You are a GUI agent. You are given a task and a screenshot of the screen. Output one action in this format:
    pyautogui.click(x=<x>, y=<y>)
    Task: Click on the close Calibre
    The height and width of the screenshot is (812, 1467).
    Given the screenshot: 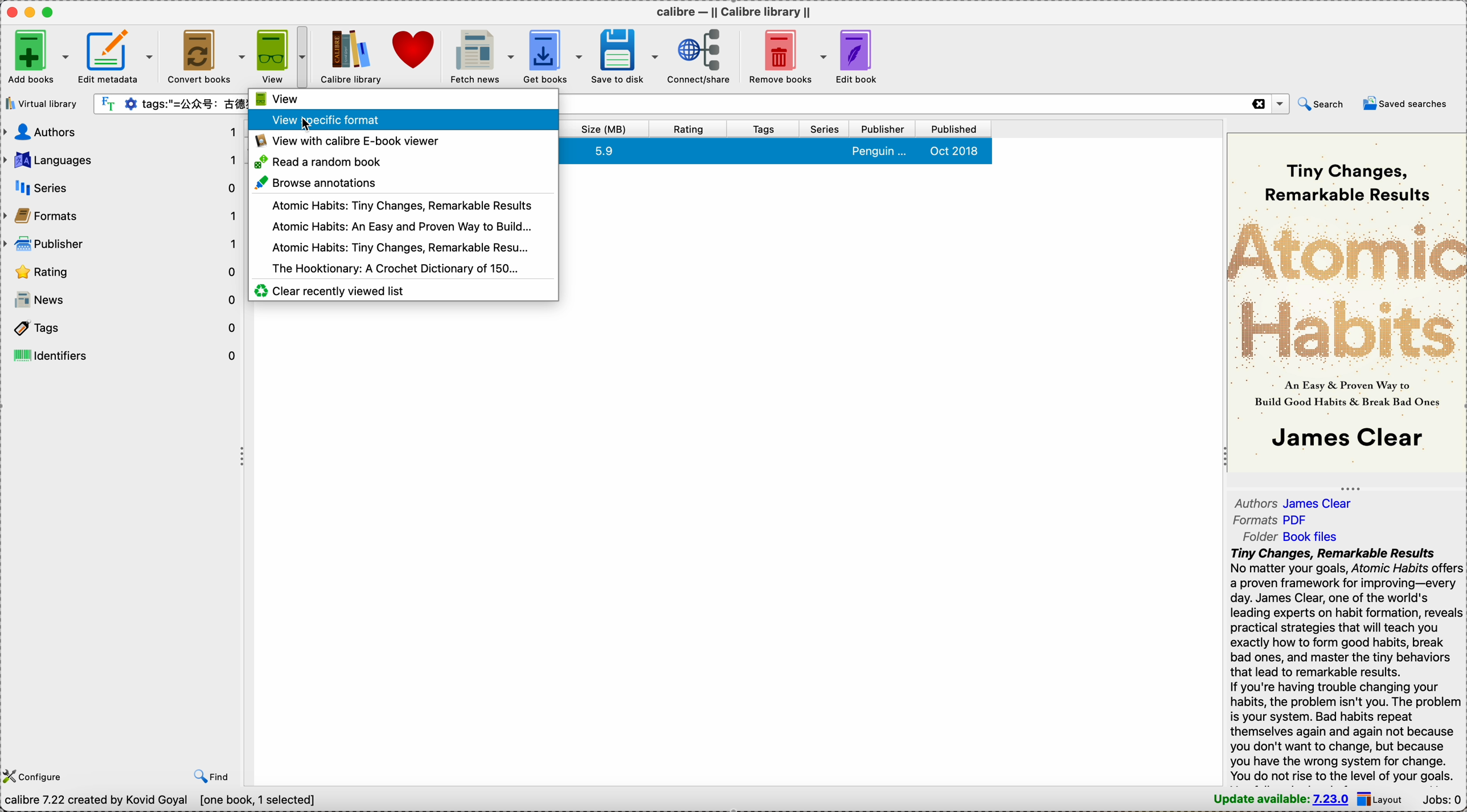 What is the action you would take?
    pyautogui.click(x=9, y=11)
    